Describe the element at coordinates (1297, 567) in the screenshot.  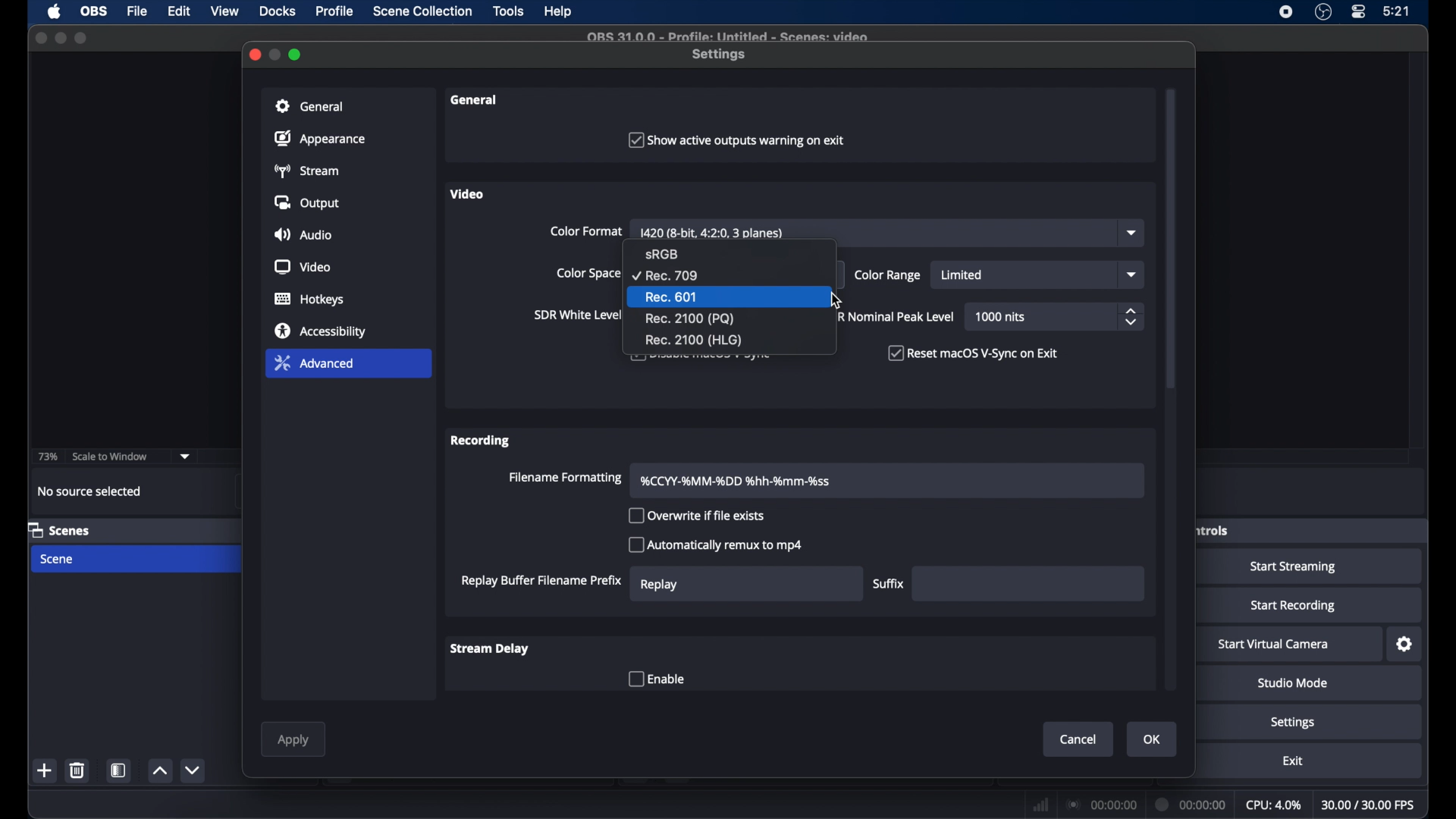
I see `start streaming` at that location.